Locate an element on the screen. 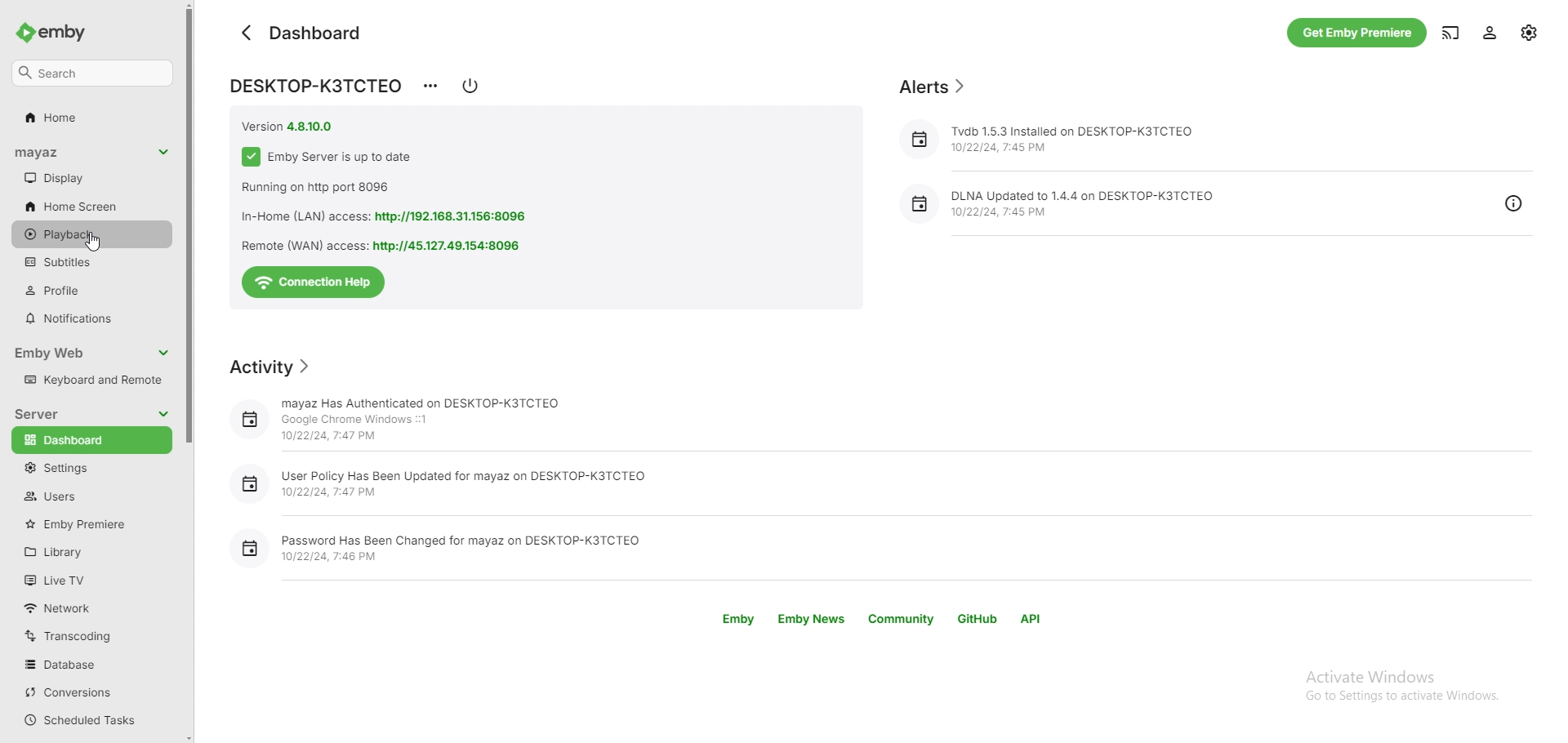  playback is located at coordinates (91, 234).